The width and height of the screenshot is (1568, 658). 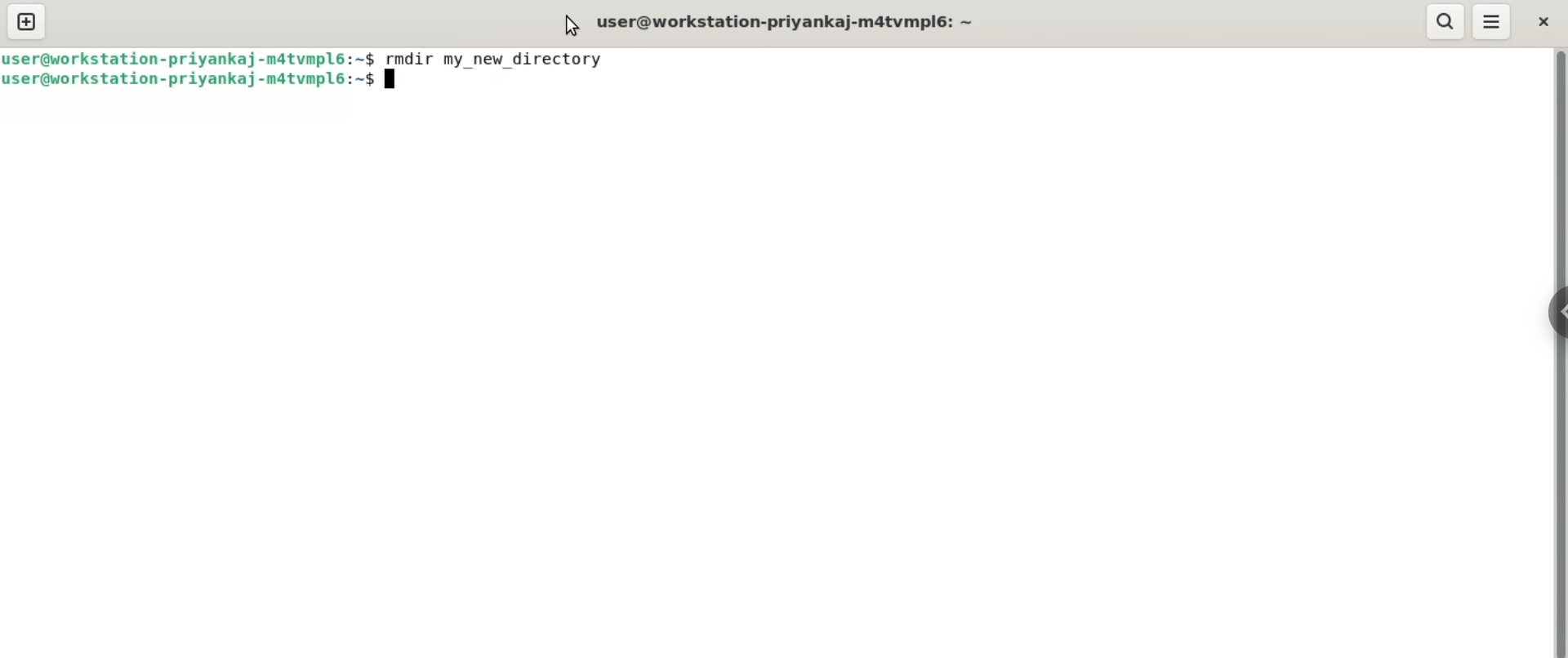 What do you see at coordinates (205, 82) in the screenshot?
I see `user@workstation-priyanka-m4tvmpl6:~ $` at bounding box center [205, 82].